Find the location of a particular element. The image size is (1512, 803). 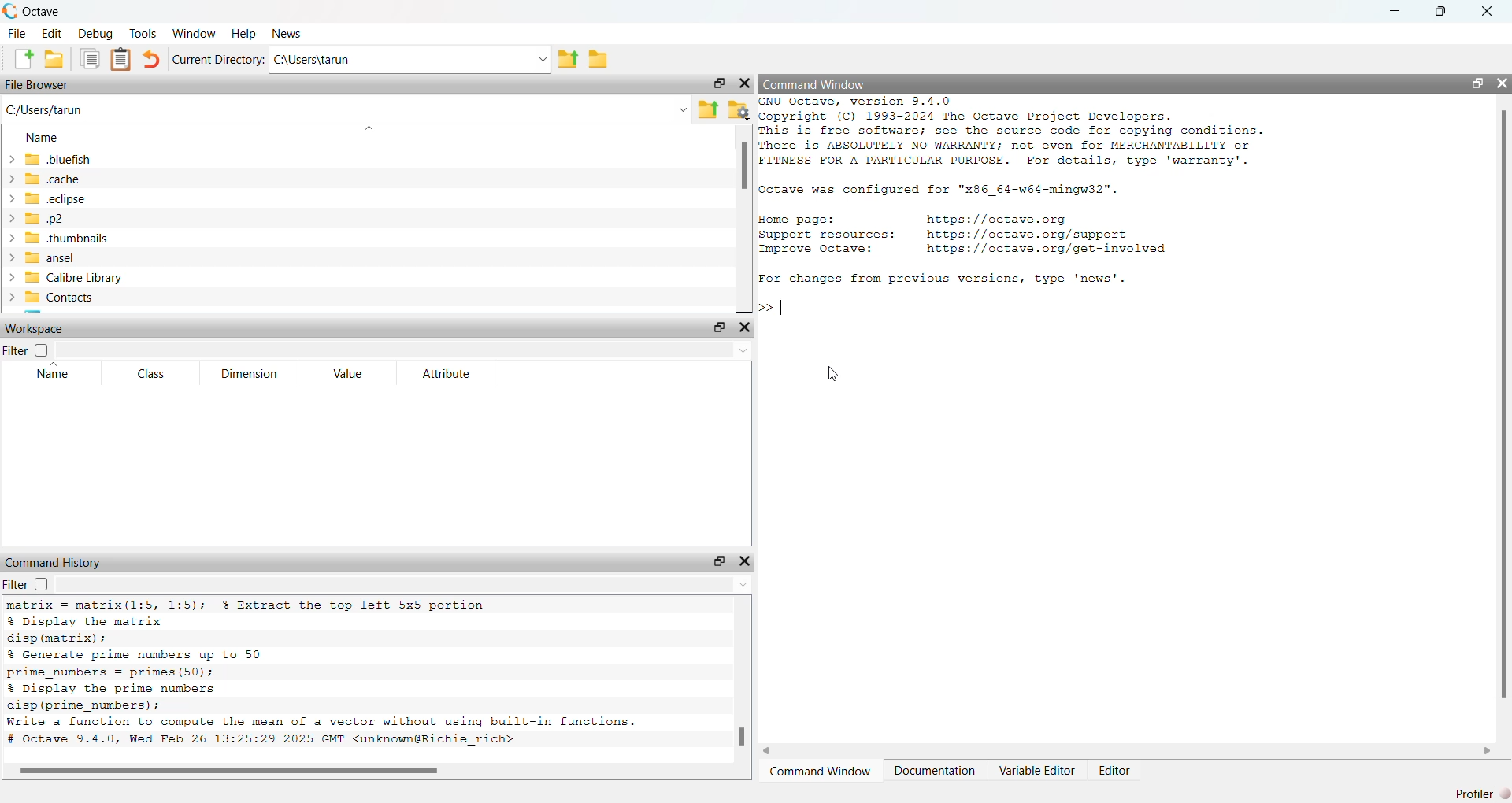

scroll bar is located at coordinates (744, 166).